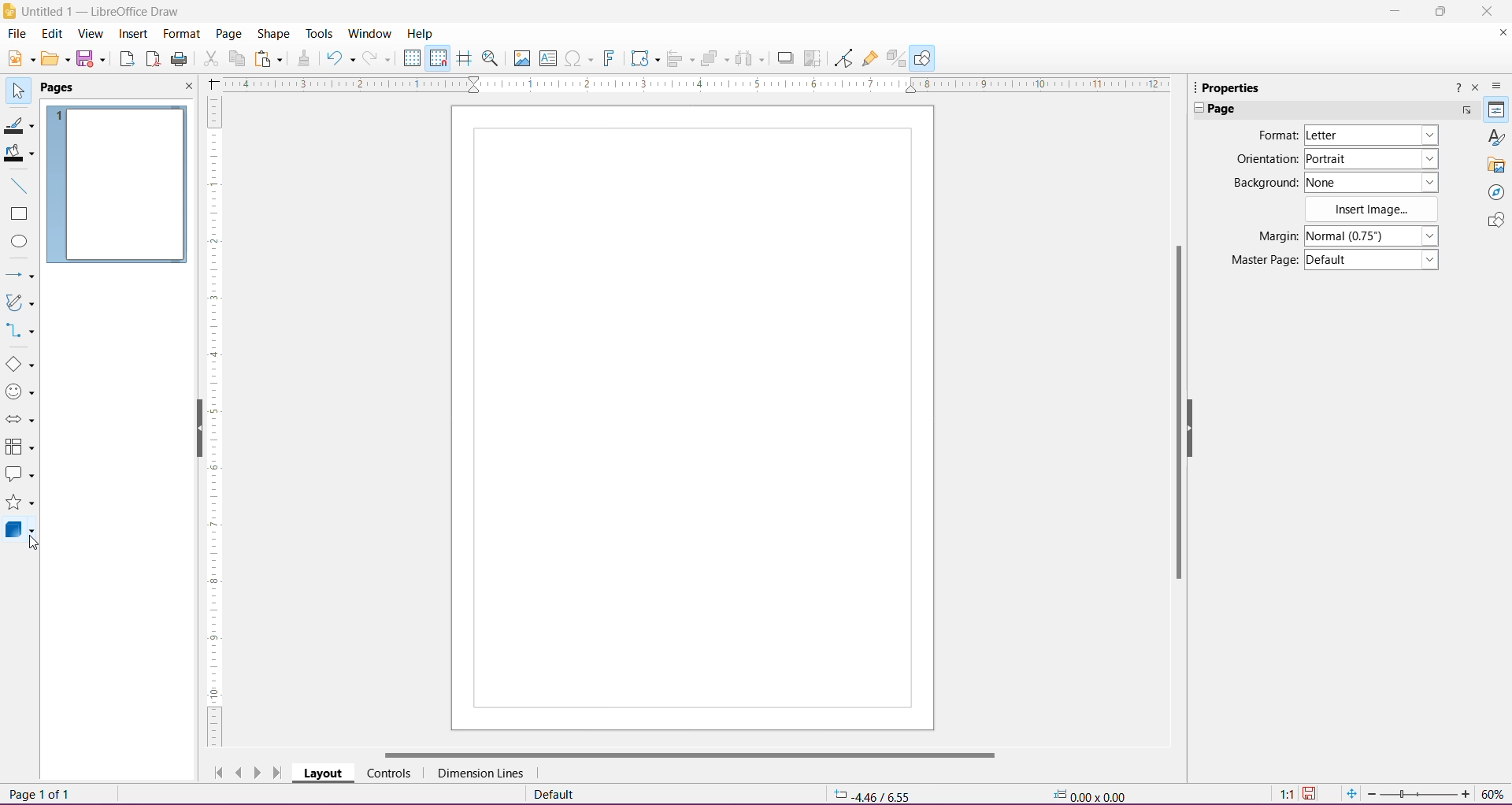 This screenshot has height=805, width=1512. What do you see at coordinates (521, 58) in the screenshot?
I see `Insert Image` at bounding box center [521, 58].